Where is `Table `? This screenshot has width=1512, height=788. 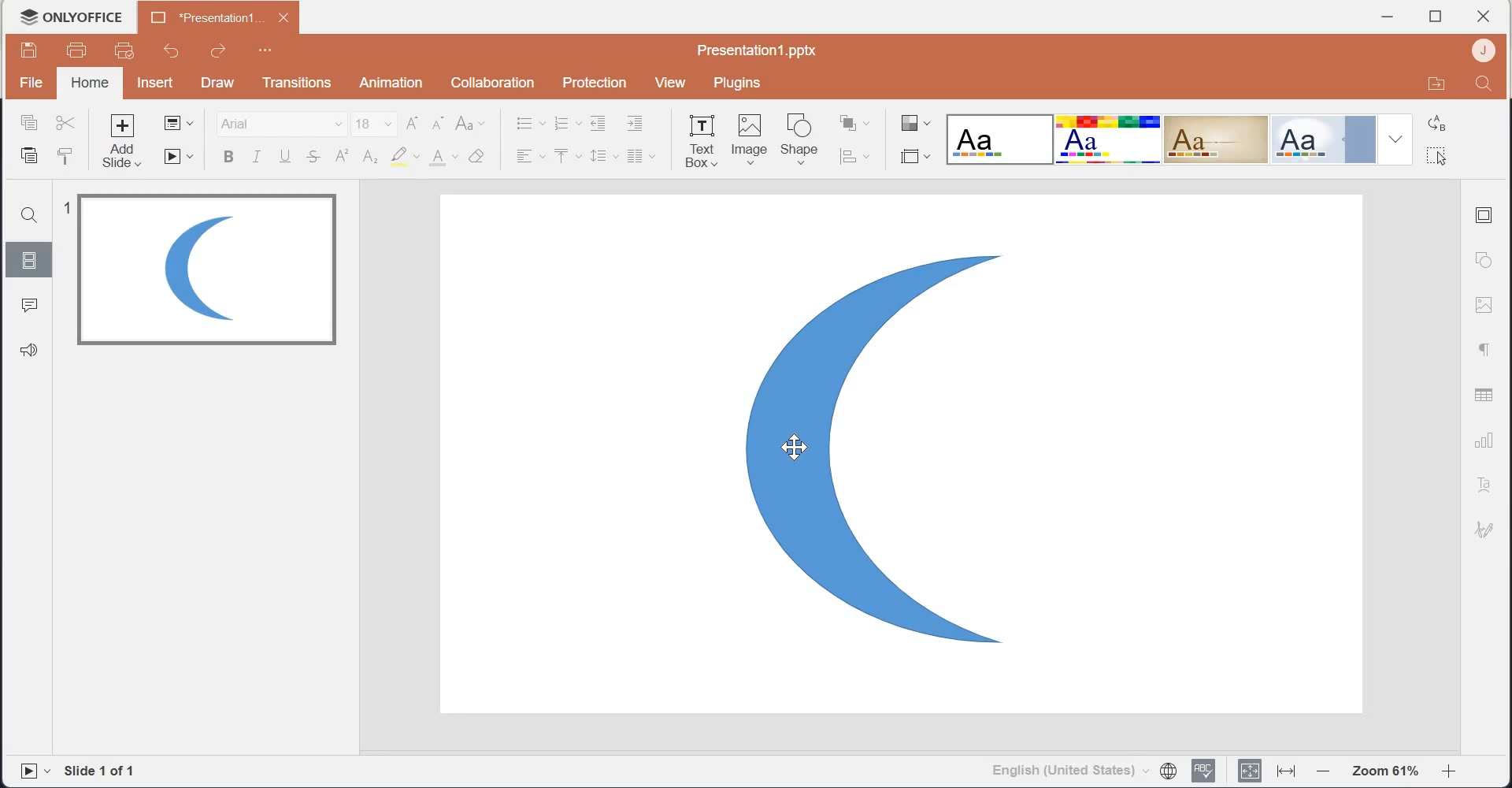 Table  is located at coordinates (1488, 395).